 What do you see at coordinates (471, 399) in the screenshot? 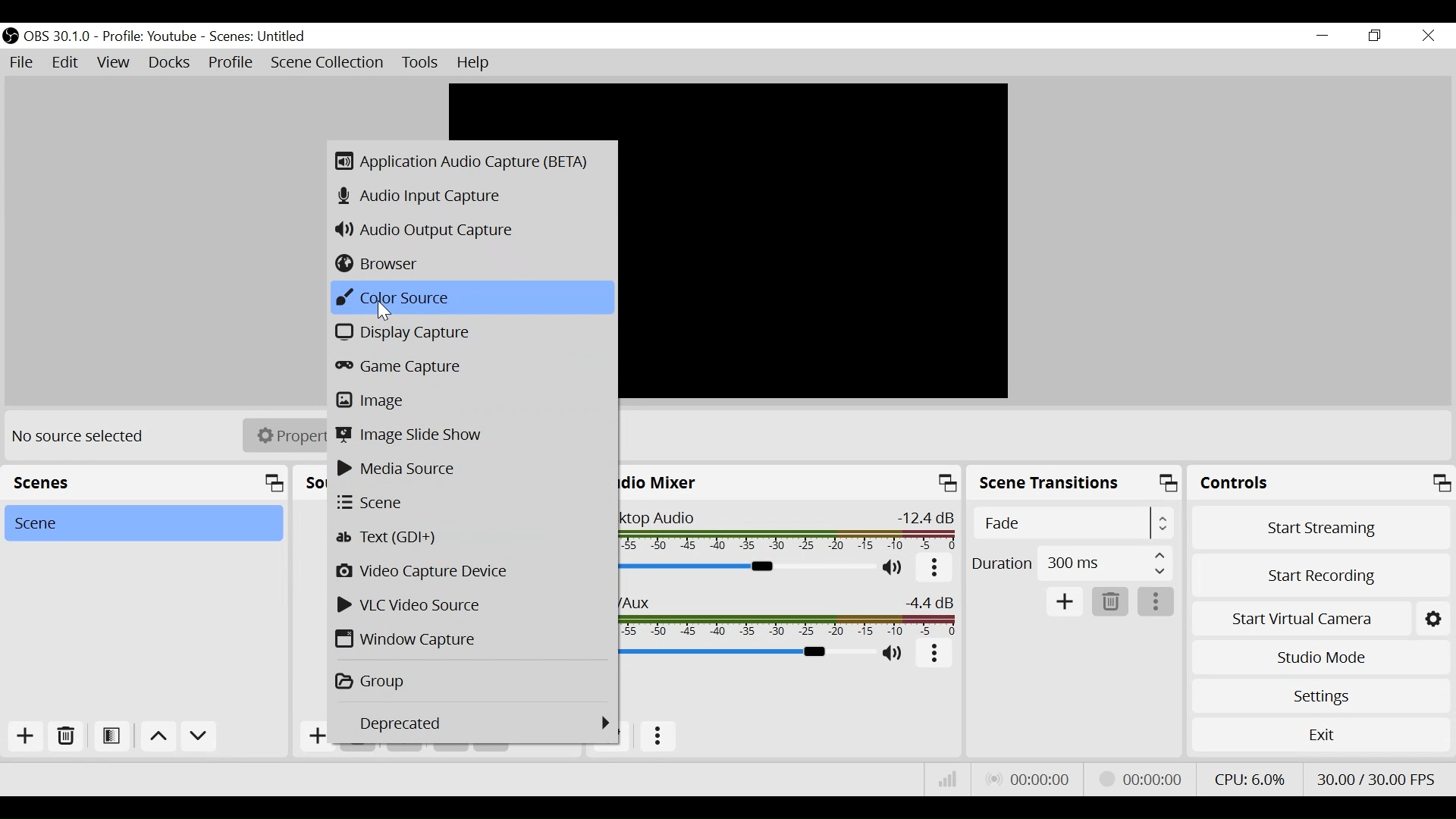
I see `Image` at bounding box center [471, 399].